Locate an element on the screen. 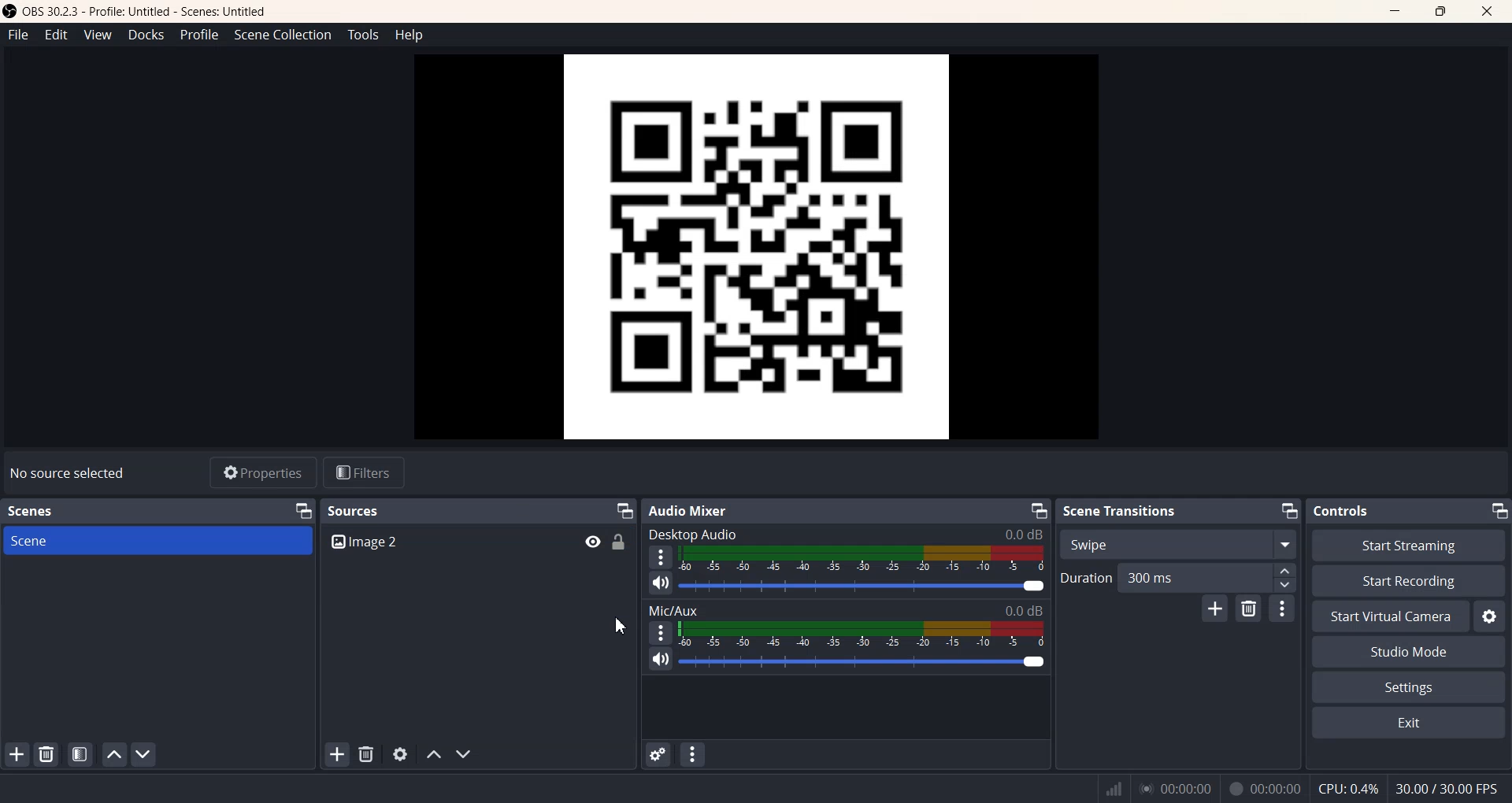 Image resolution: width=1512 pixels, height=803 pixels. Duration 300ms is located at coordinates (1151, 577).